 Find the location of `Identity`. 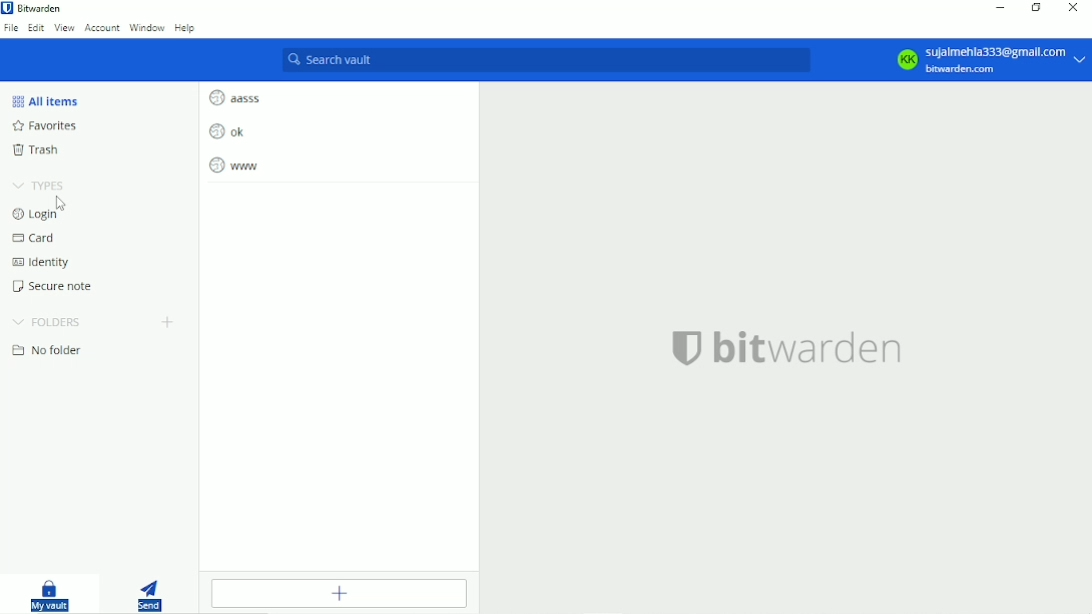

Identity is located at coordinates (40, 263).